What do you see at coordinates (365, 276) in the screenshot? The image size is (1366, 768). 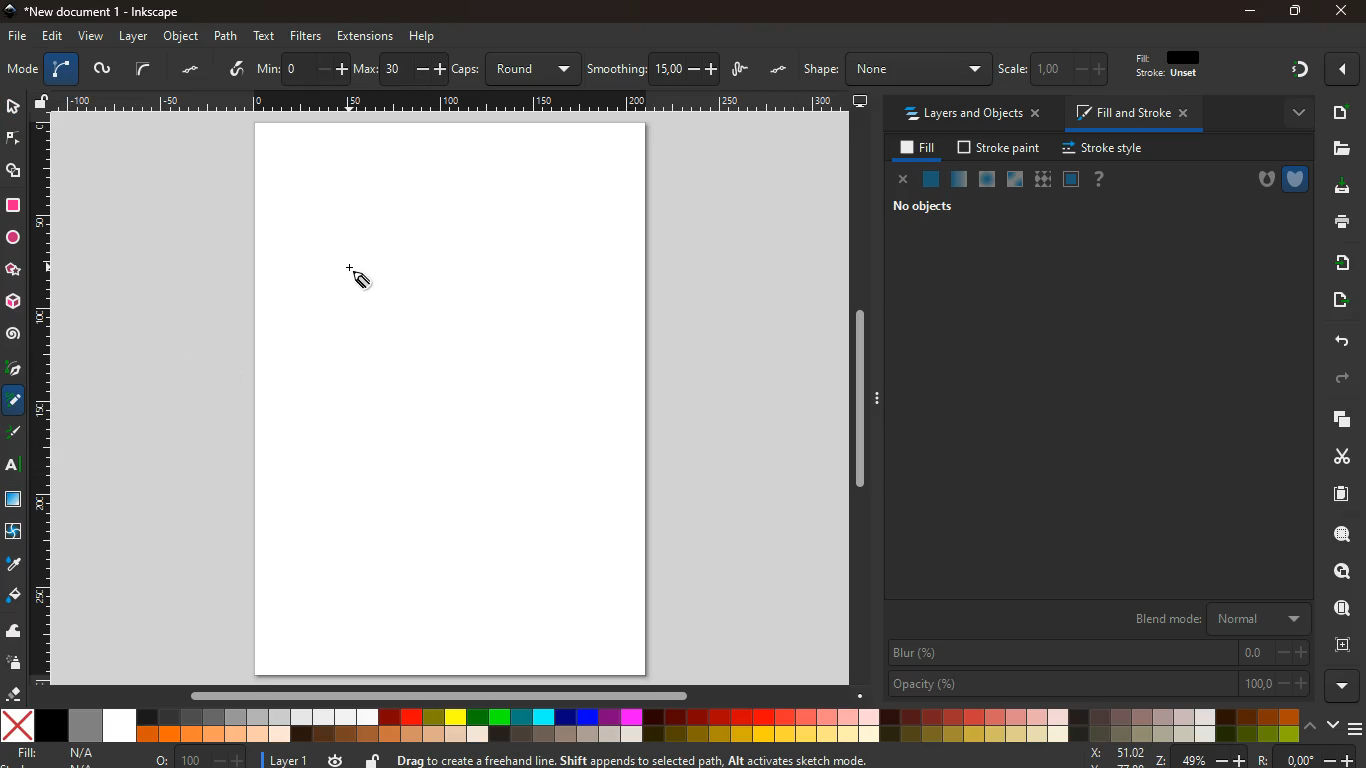 I see `draw` at bounding box center [365, 276].